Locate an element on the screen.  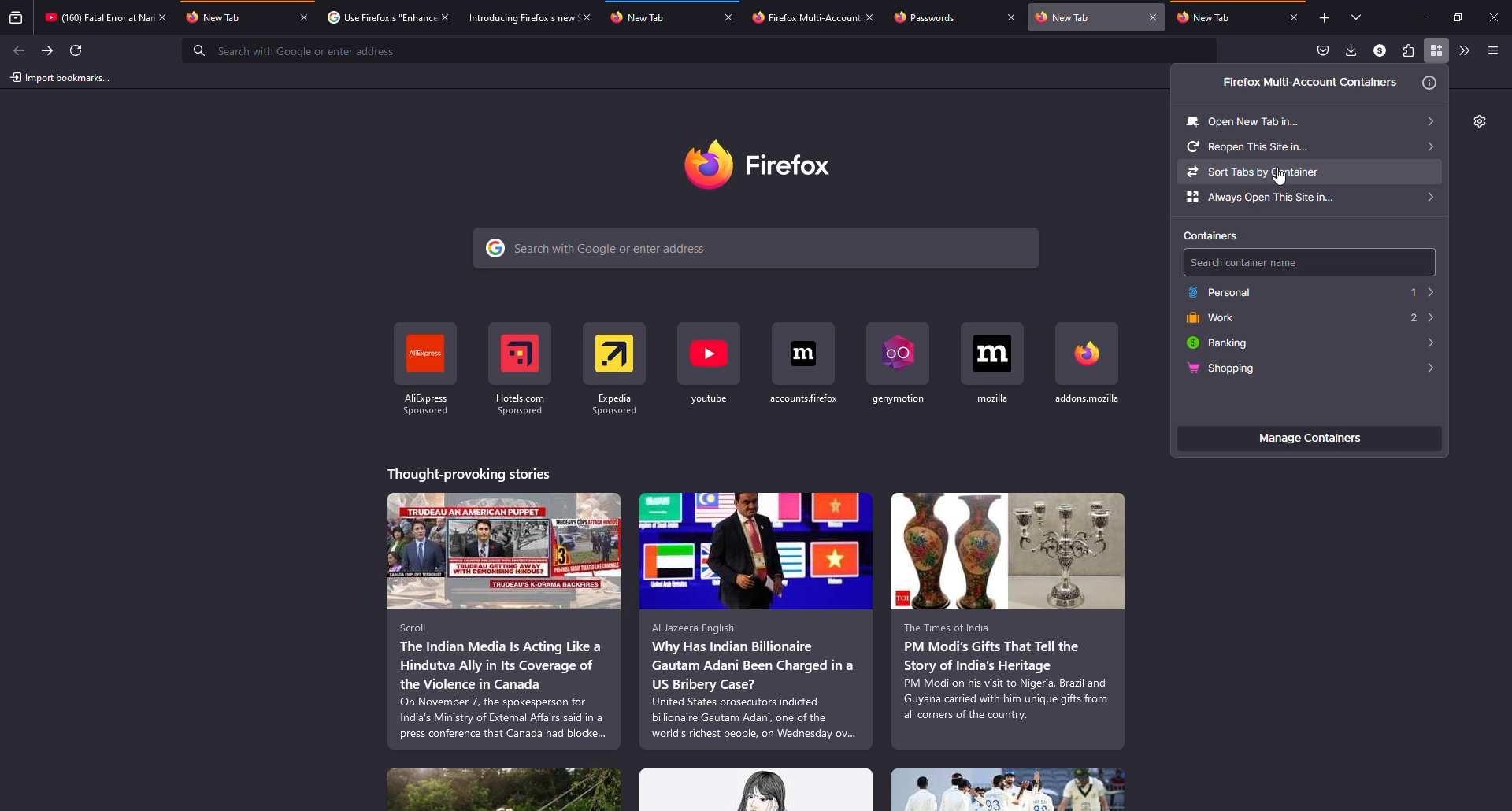
cursor is located at coordinates (1280, 179).